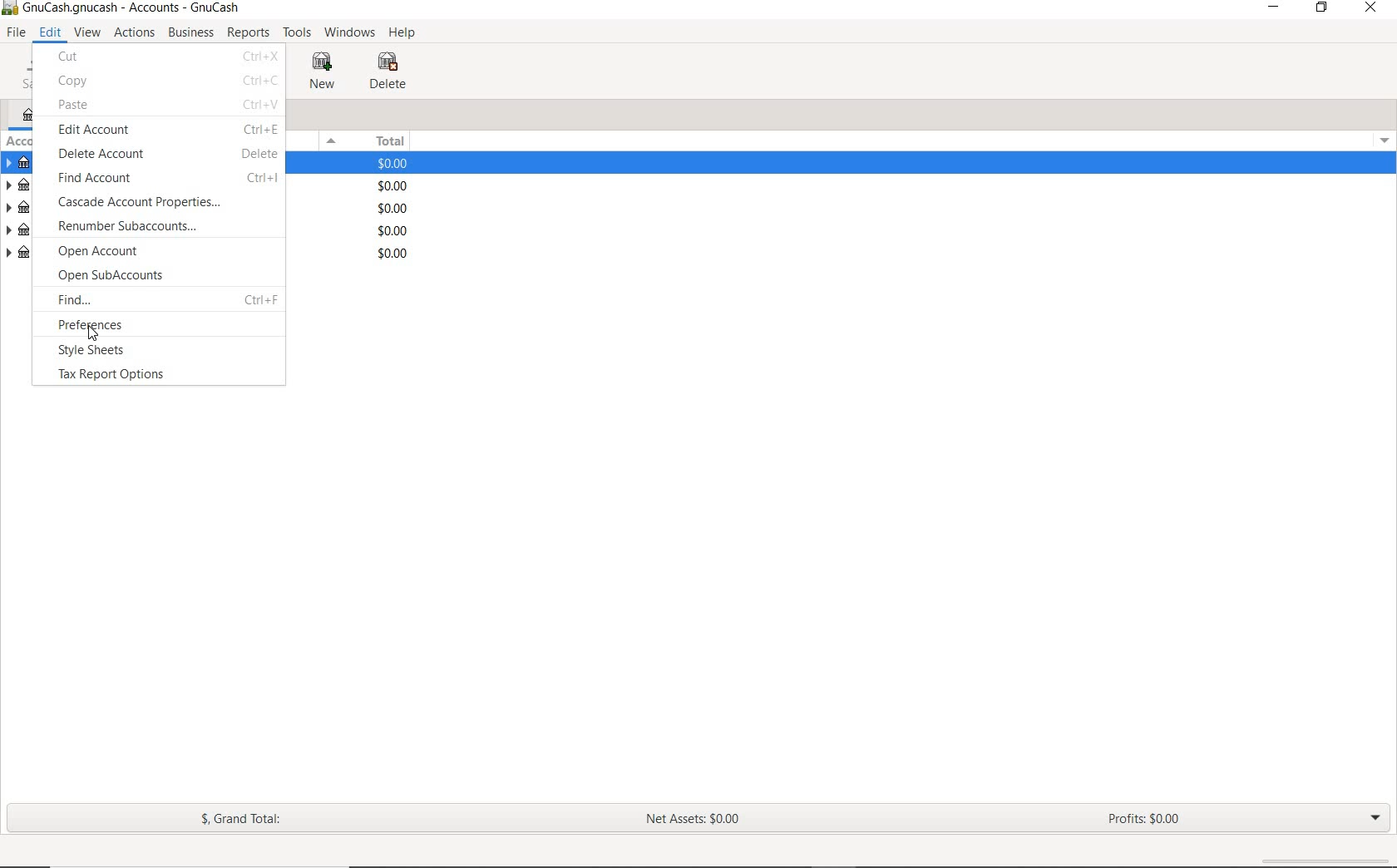 This screenshot has width=1397, height=868. I want to click on Ctrl + I, so click(264, 180).